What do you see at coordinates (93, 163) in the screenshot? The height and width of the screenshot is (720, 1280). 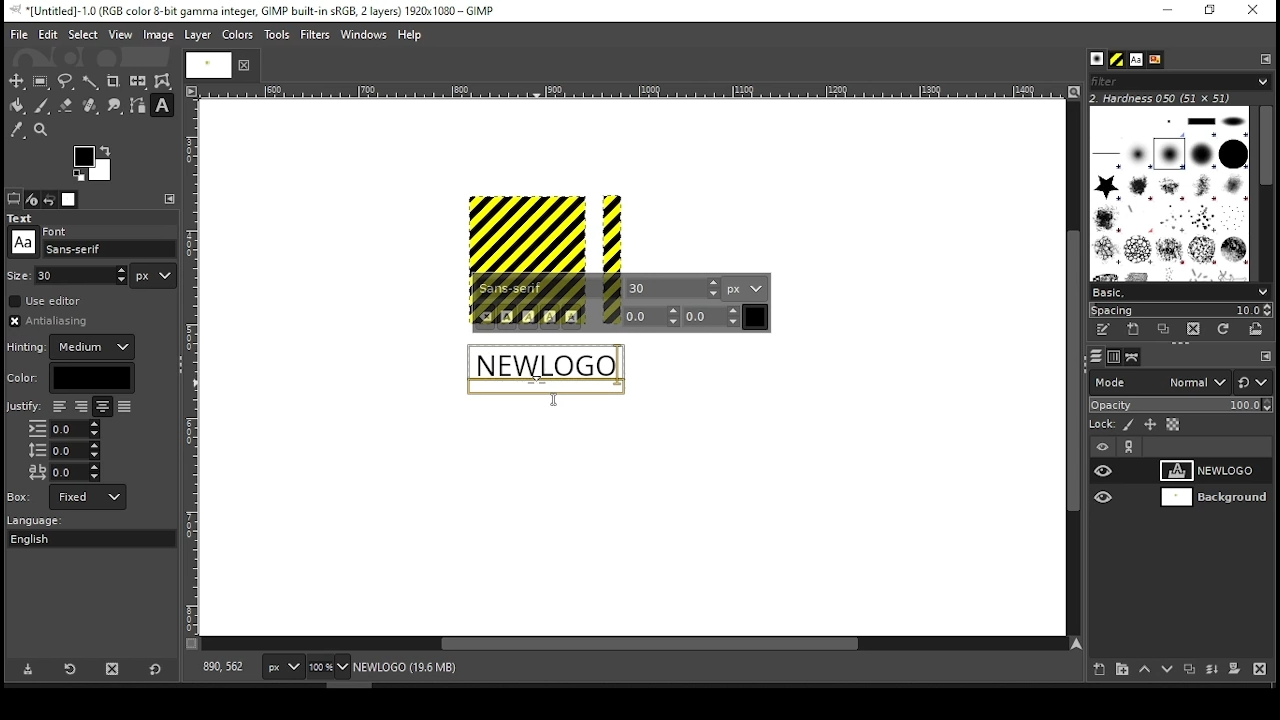 I see `colors` at bounding box center [93, 163].